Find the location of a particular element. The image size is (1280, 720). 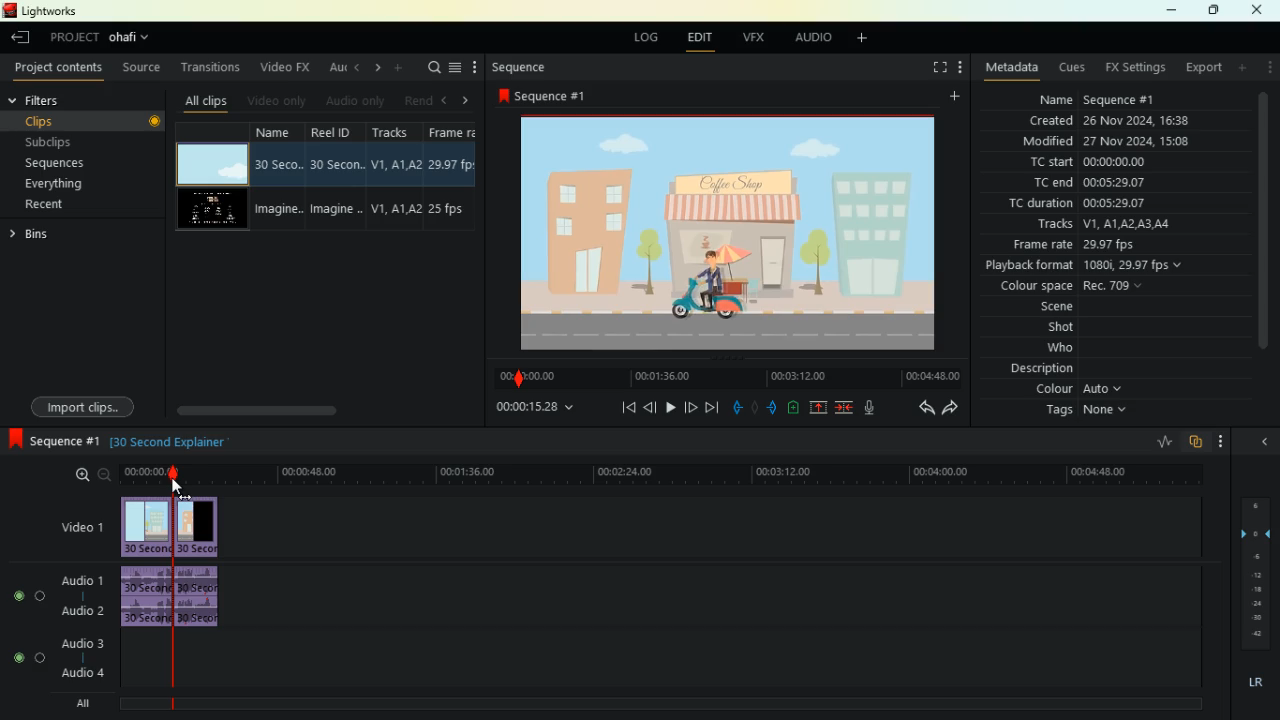

export is located at coordinates (1203, 68).